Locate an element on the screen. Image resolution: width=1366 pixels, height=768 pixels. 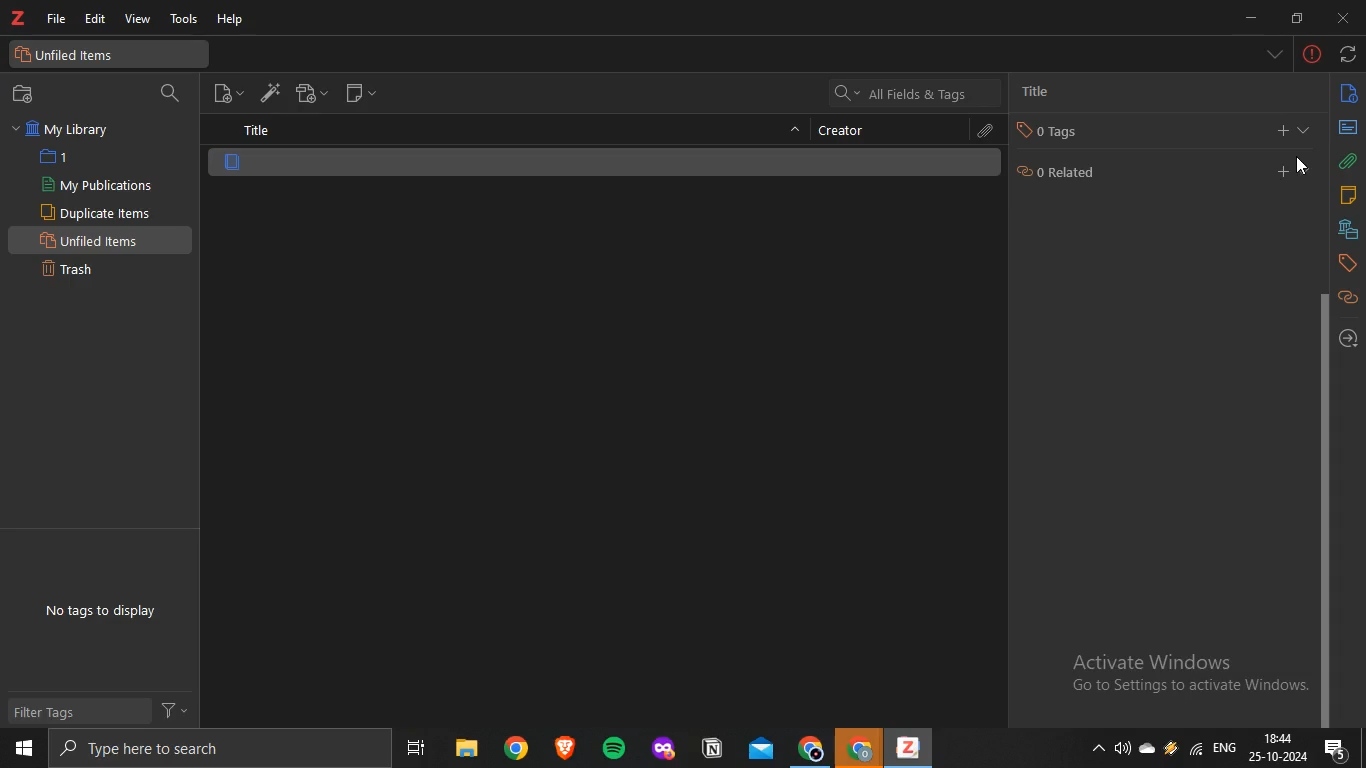
unfiled items is located at coordinates (111, 52).